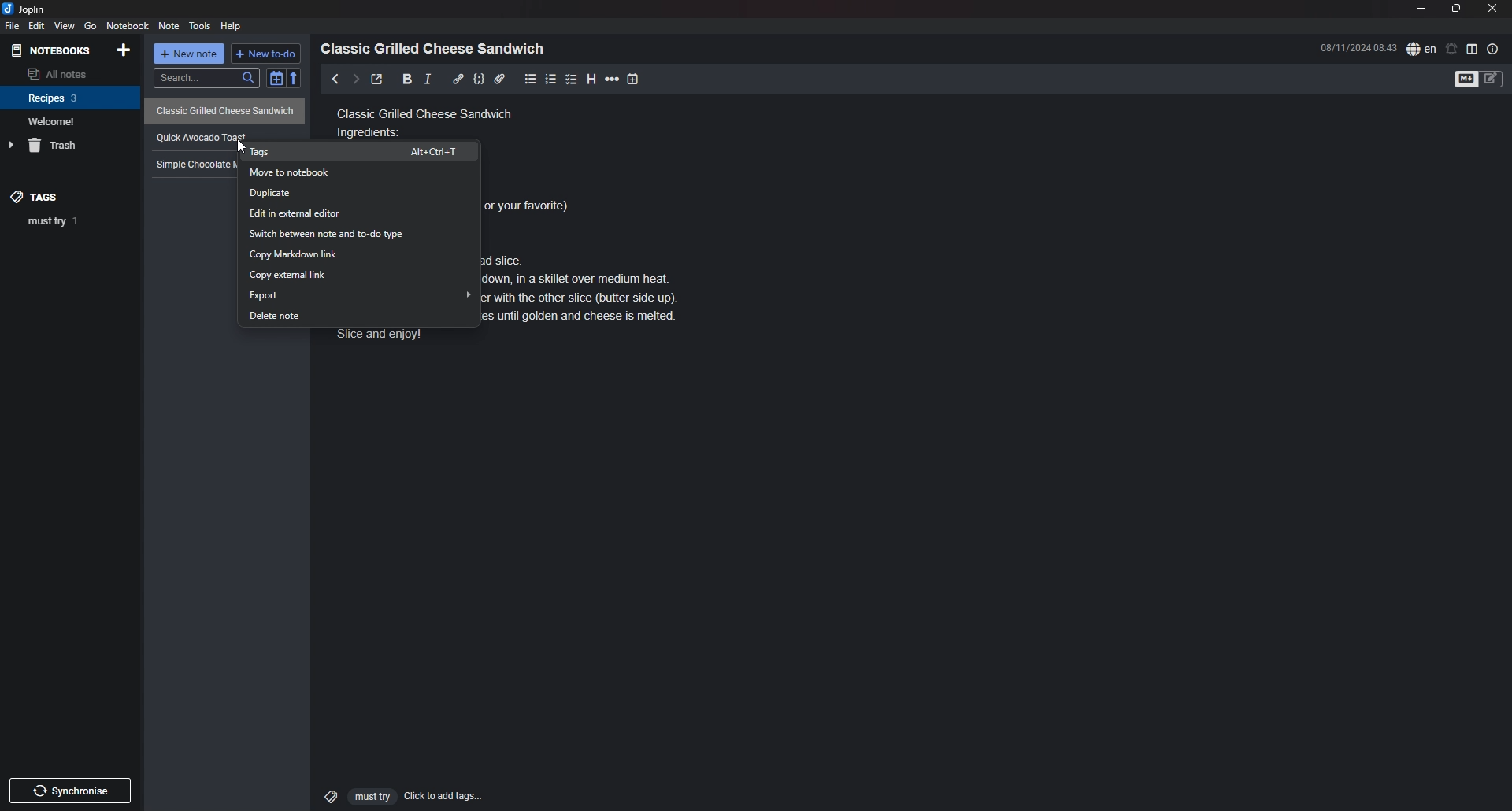 This screenshot has height=811, width=1512. Describe the element at coordinates (361, 172) in the screenshot. I see `move to notebook` at that location.